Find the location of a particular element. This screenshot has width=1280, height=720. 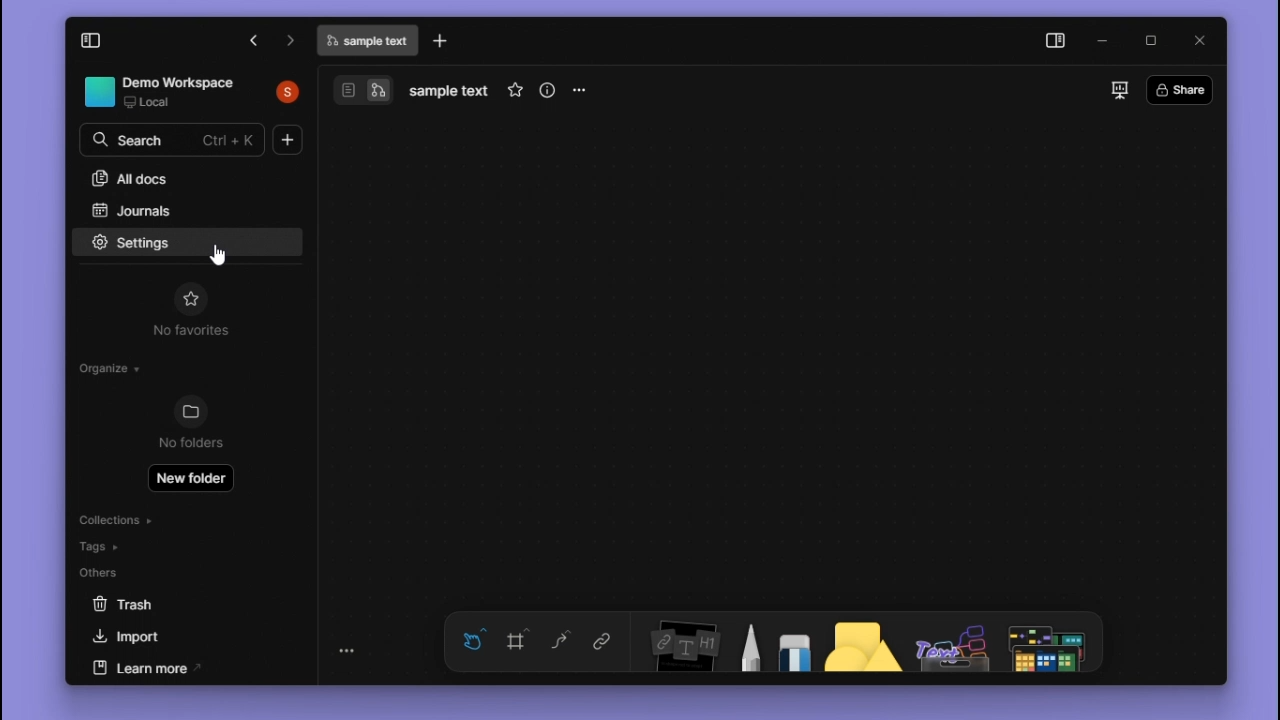

 is located at coordinates (147, 605).